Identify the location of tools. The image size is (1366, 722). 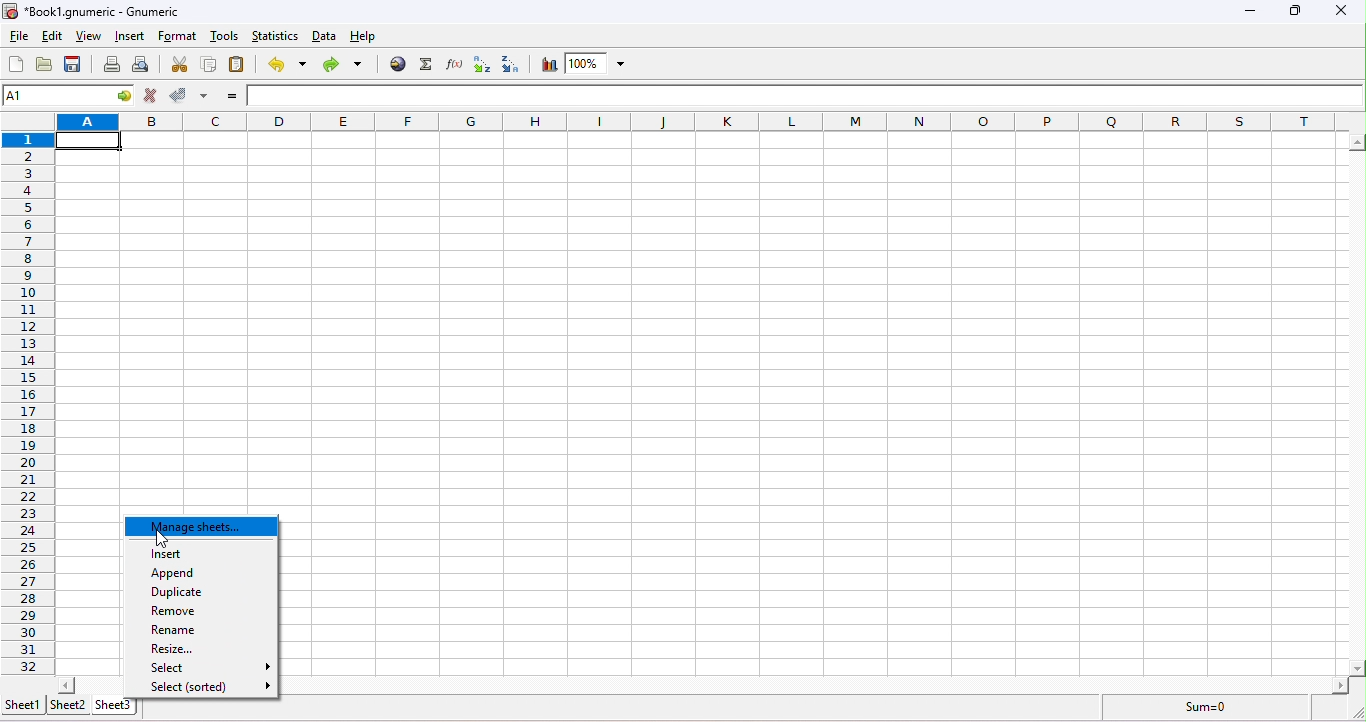
(229, 37).